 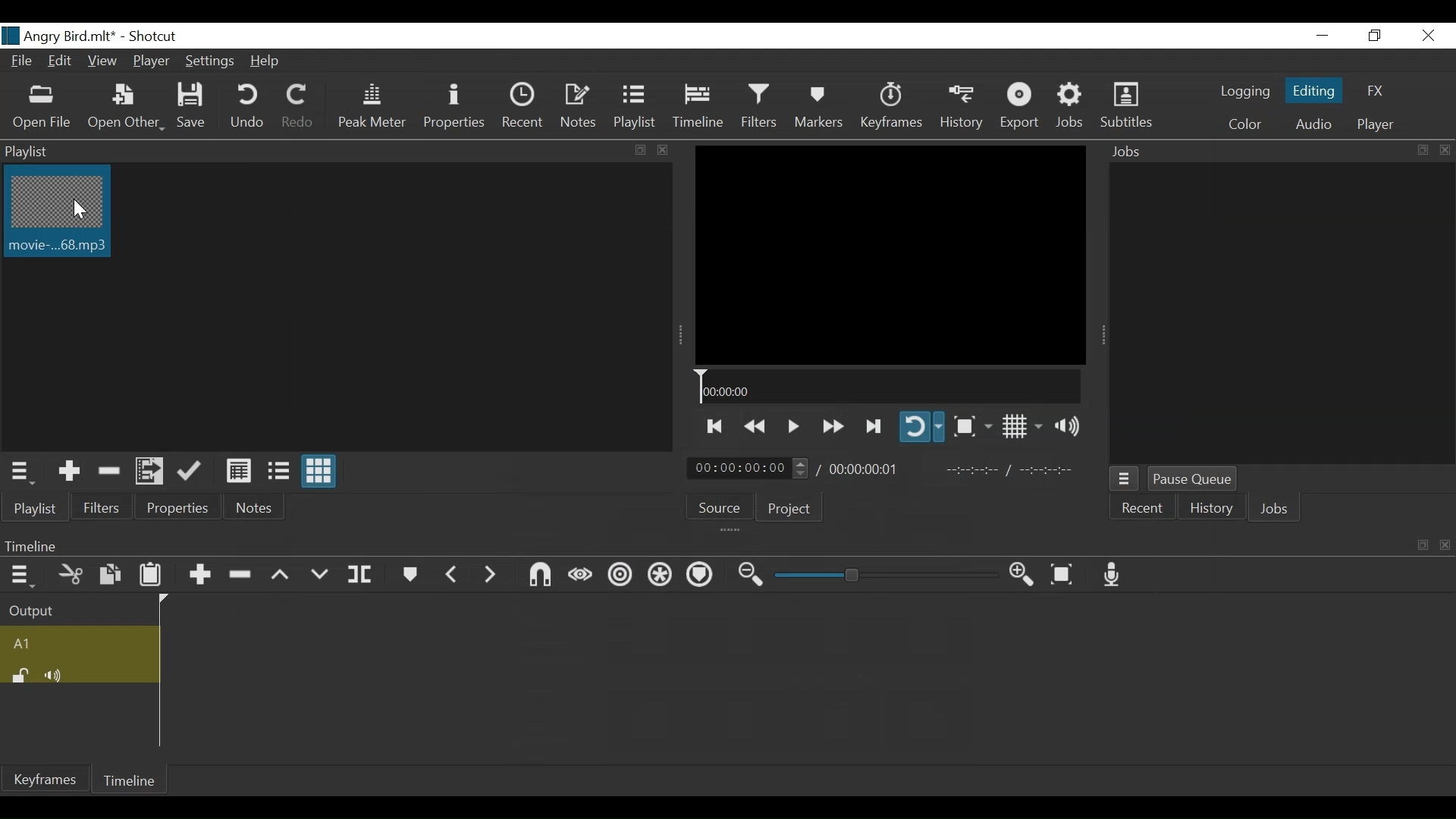 What do you see at coordinates (1021, 108) in the screenshot?
I see `Export` at bounding box center [1021, 108].